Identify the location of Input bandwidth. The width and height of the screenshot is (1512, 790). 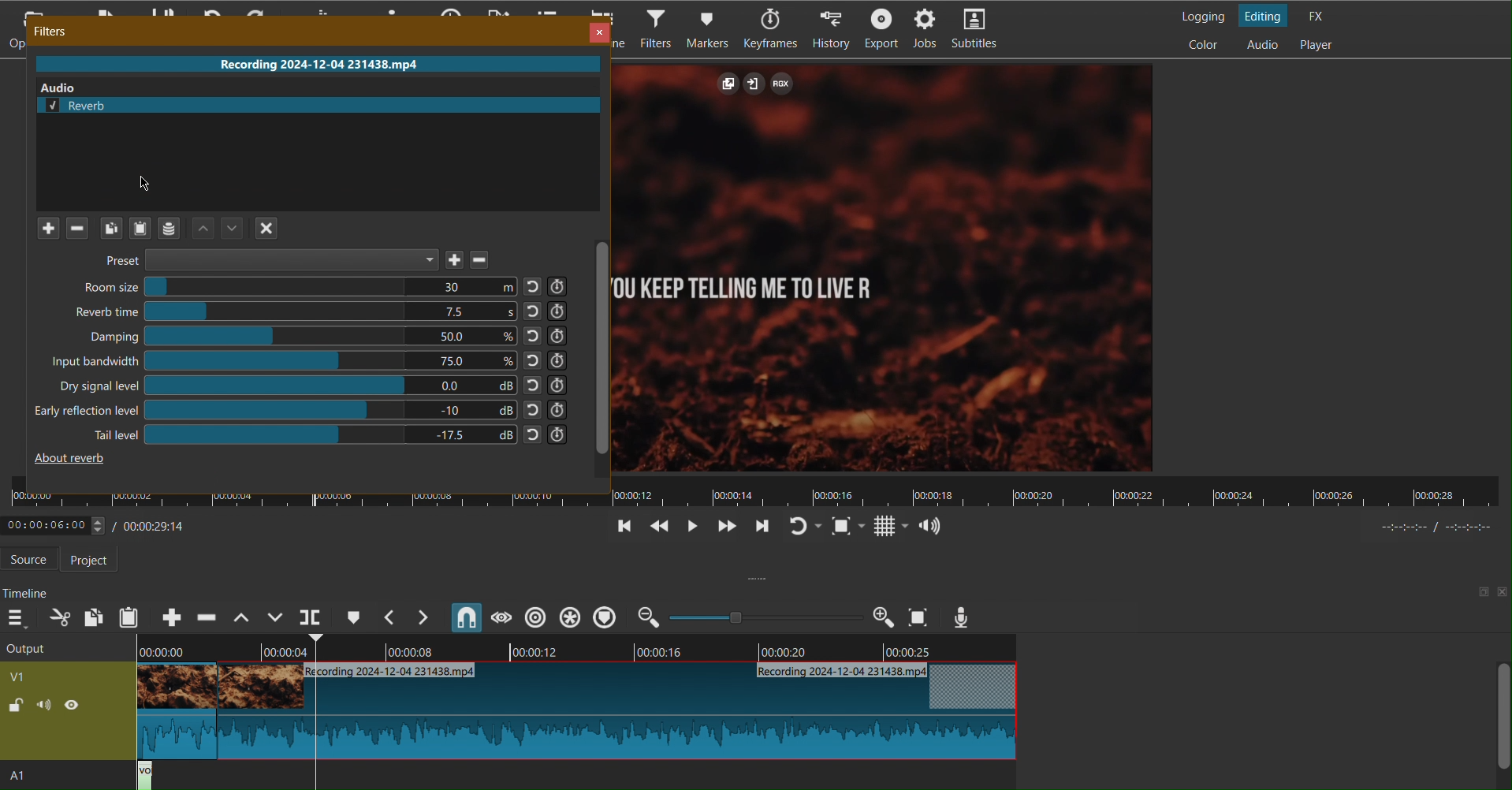
(311, 360).